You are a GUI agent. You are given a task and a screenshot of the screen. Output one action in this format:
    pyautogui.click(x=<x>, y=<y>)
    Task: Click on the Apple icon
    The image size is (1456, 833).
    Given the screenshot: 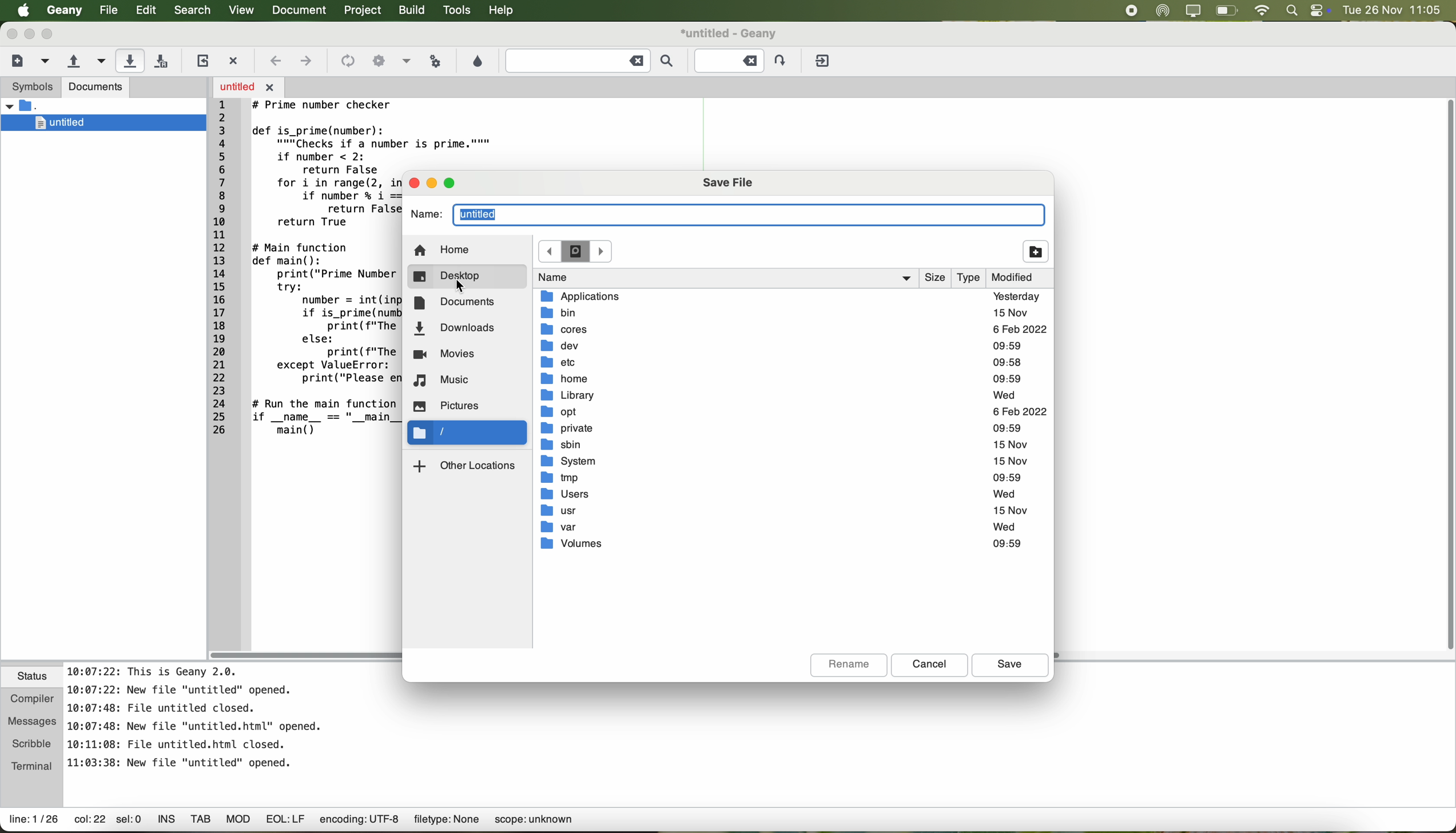 What is the action you would take?
    pyautogui.click(x=18, y=10)
    